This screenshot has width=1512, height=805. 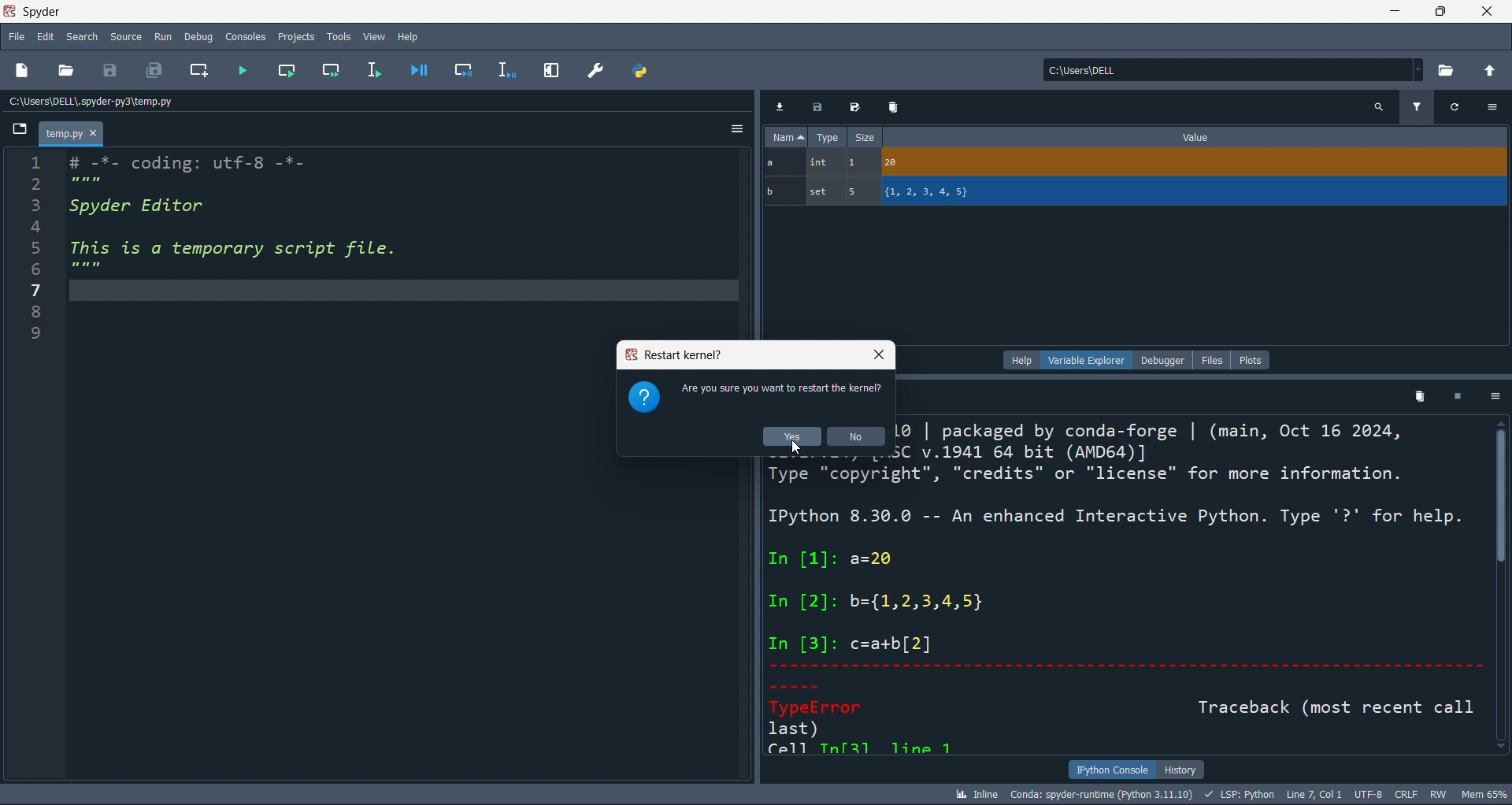 I want to click on restart kernel?, so click(x=676, y=354).